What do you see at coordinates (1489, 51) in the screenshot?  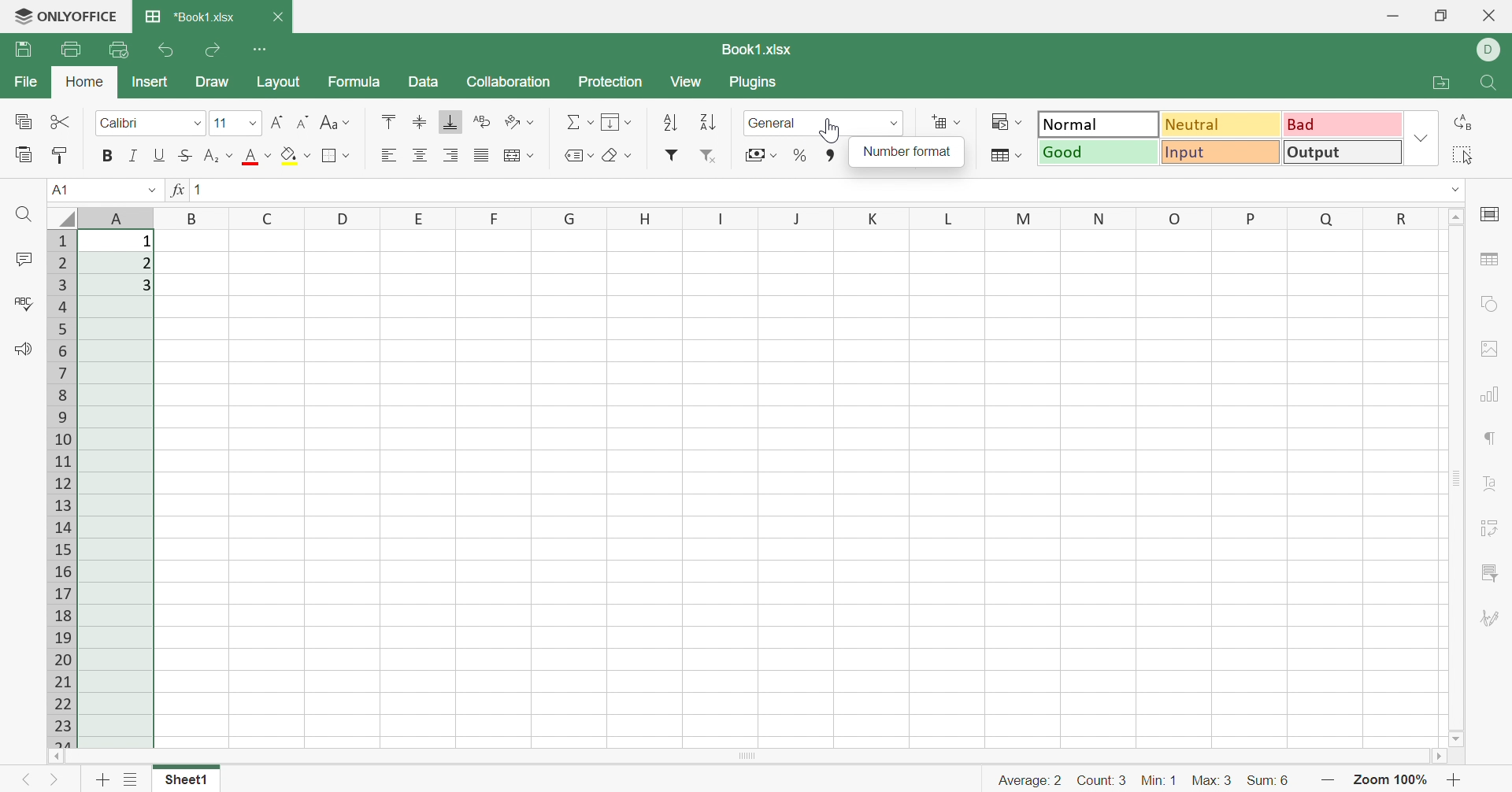 I see `DELL` at bounding box center [1489, 51].